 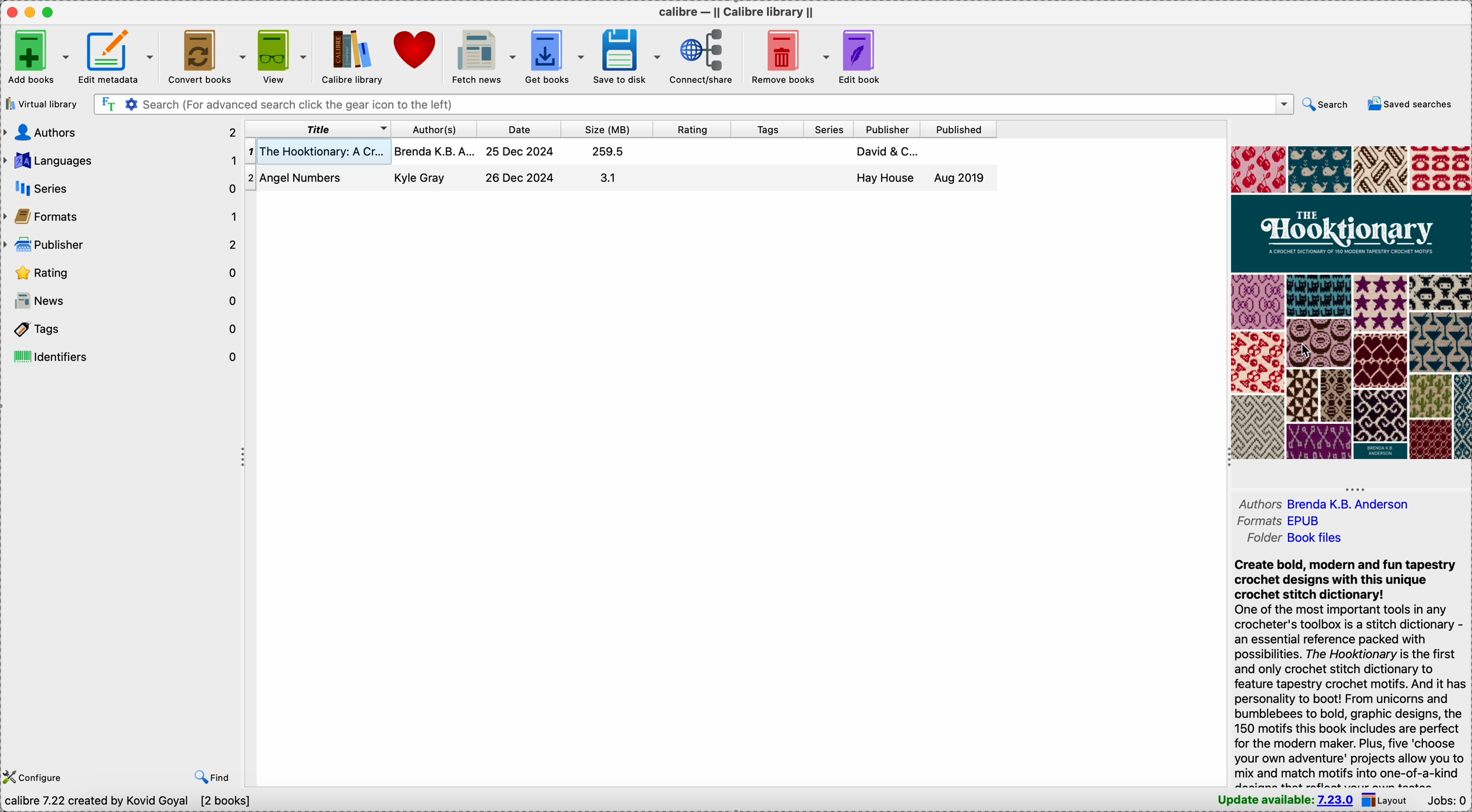 I want to click on save to disk, so click(x=627, y=55).